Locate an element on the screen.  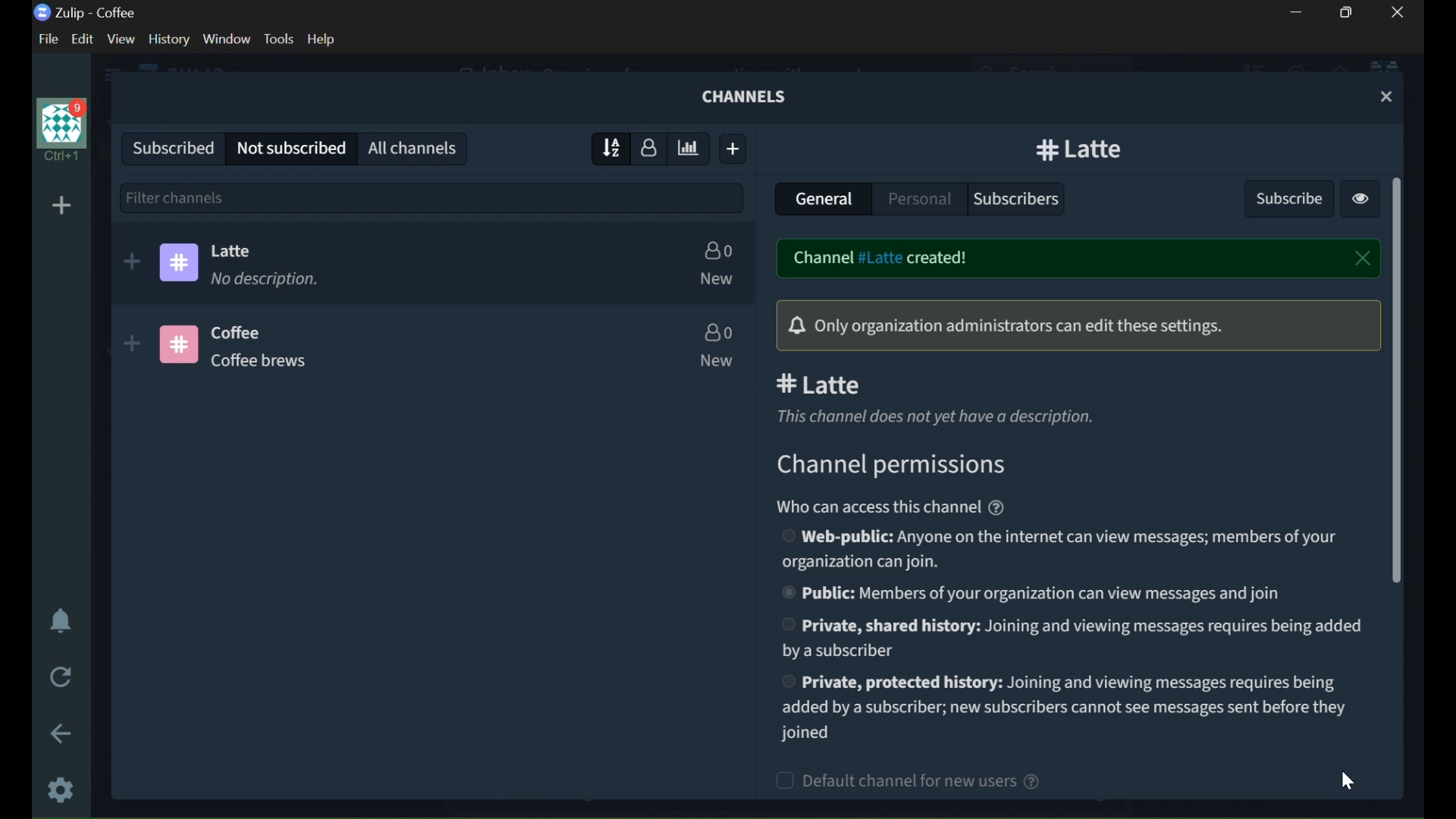
ADD ORGANIZER is located at coordinates (61, 206).